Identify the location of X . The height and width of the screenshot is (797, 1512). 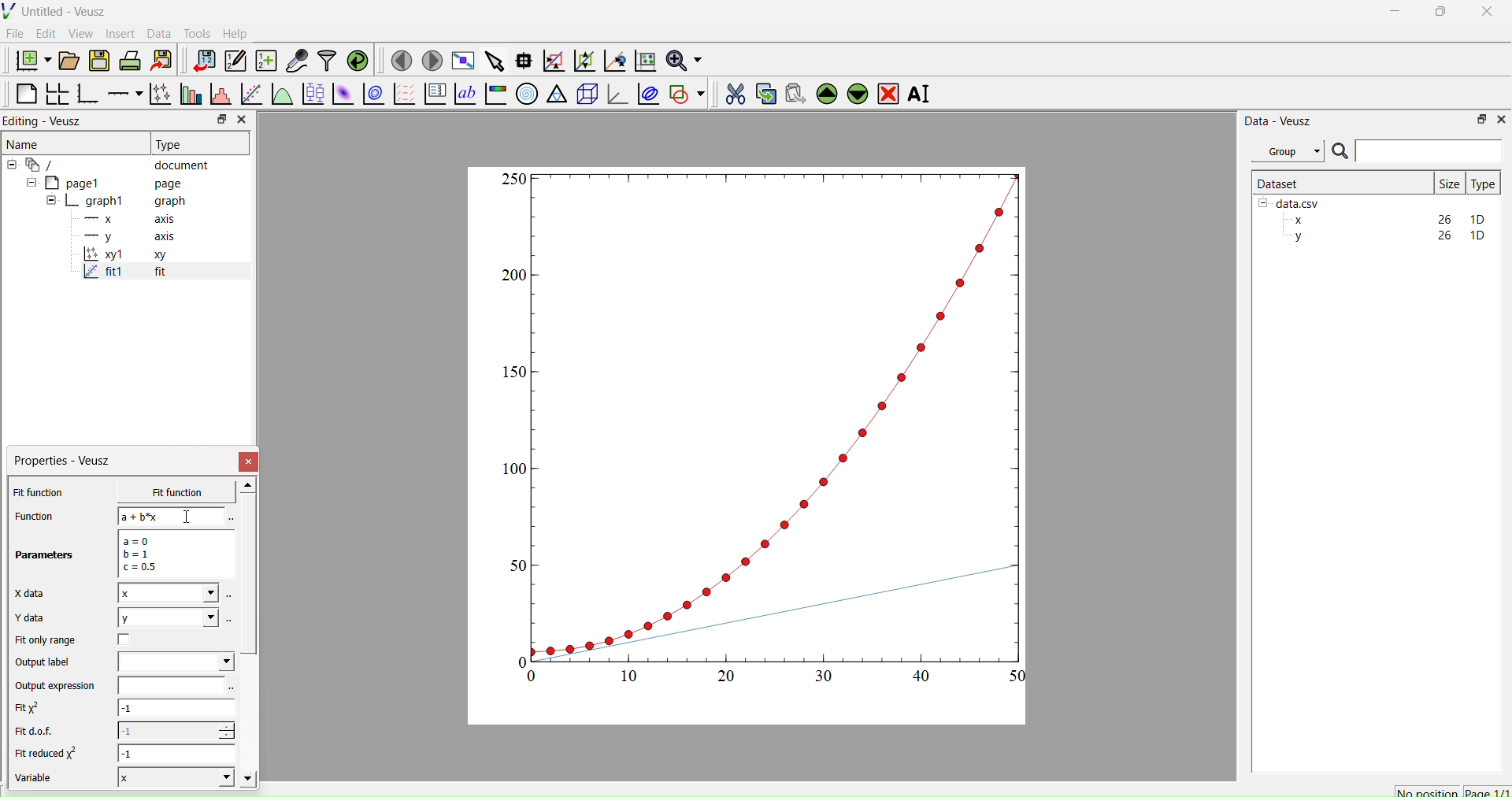
(173, 777).